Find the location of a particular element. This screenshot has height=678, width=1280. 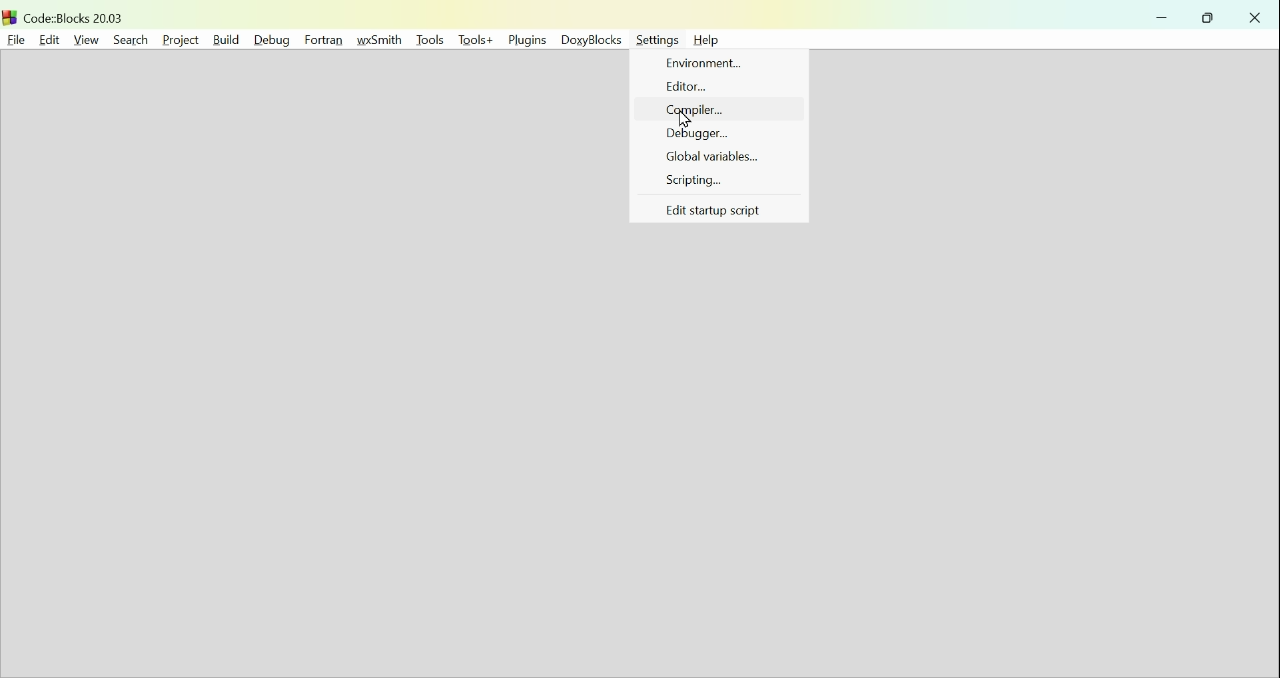

Editor is located at coordinates (707, 87).